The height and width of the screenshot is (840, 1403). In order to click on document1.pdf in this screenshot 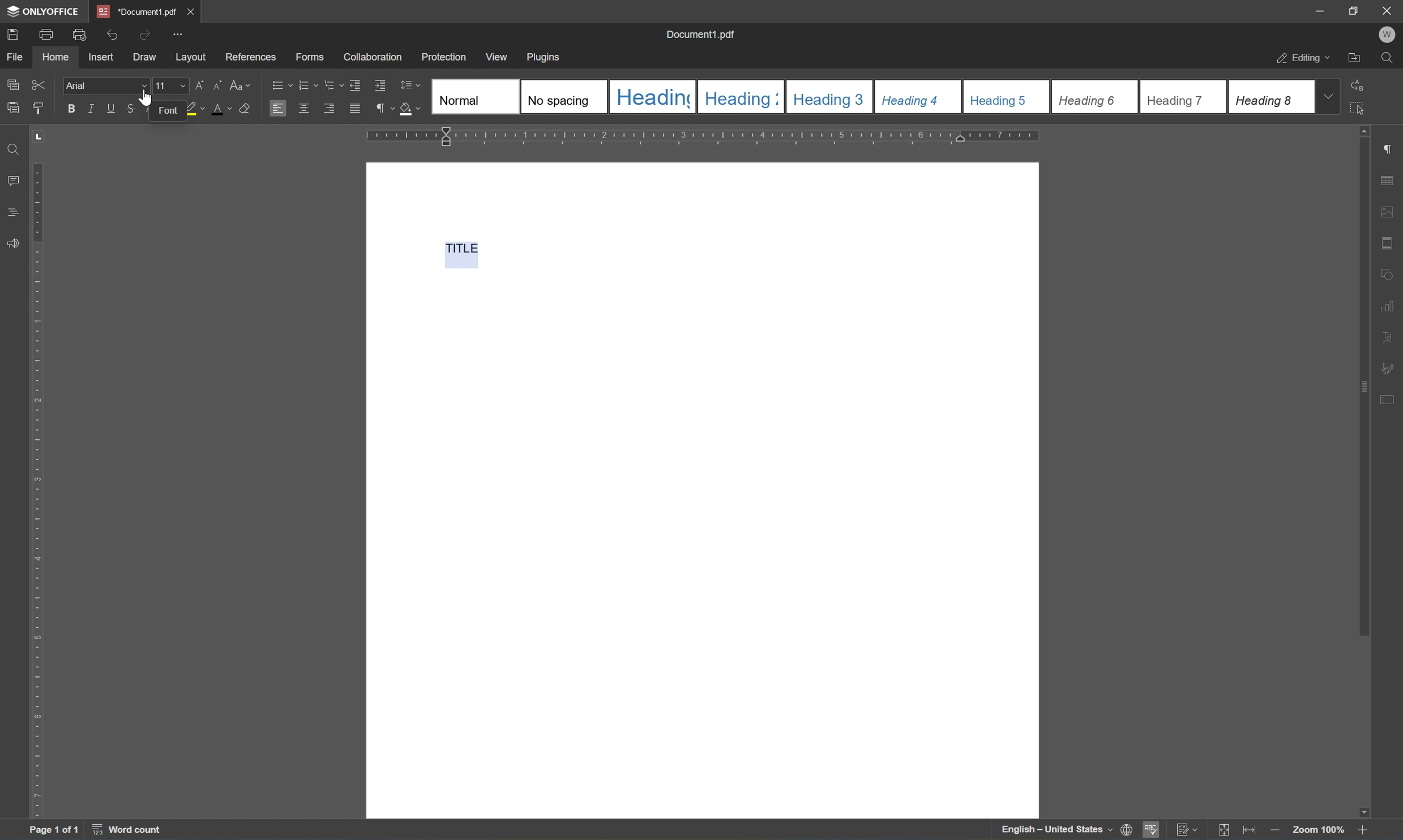, I will do `click(135, 12)`.